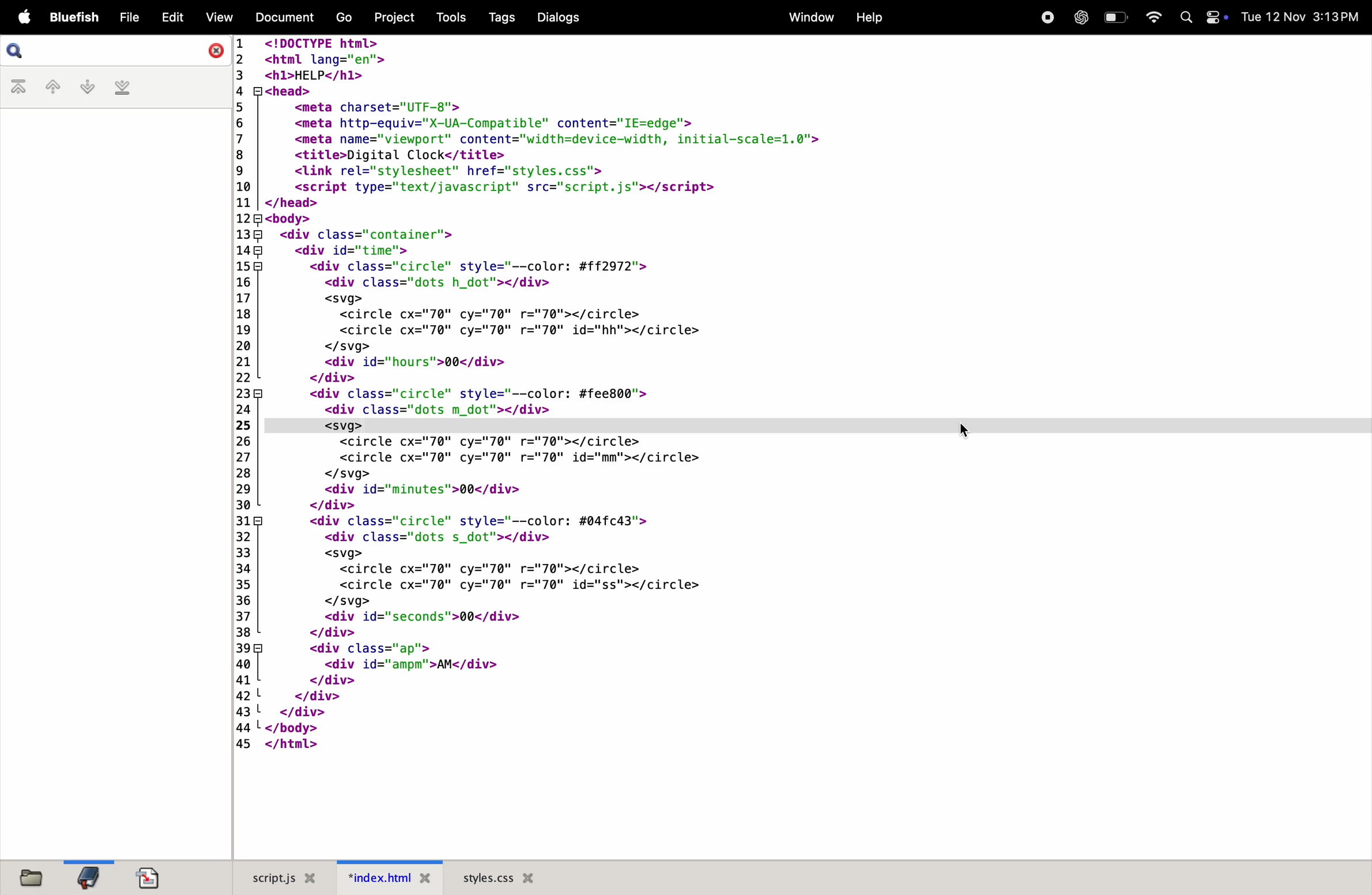 The width and height of the screenshot is (1372, 895). Describe the element at coordinates (27, 876) in the screenshot. I see `new file` at that location.